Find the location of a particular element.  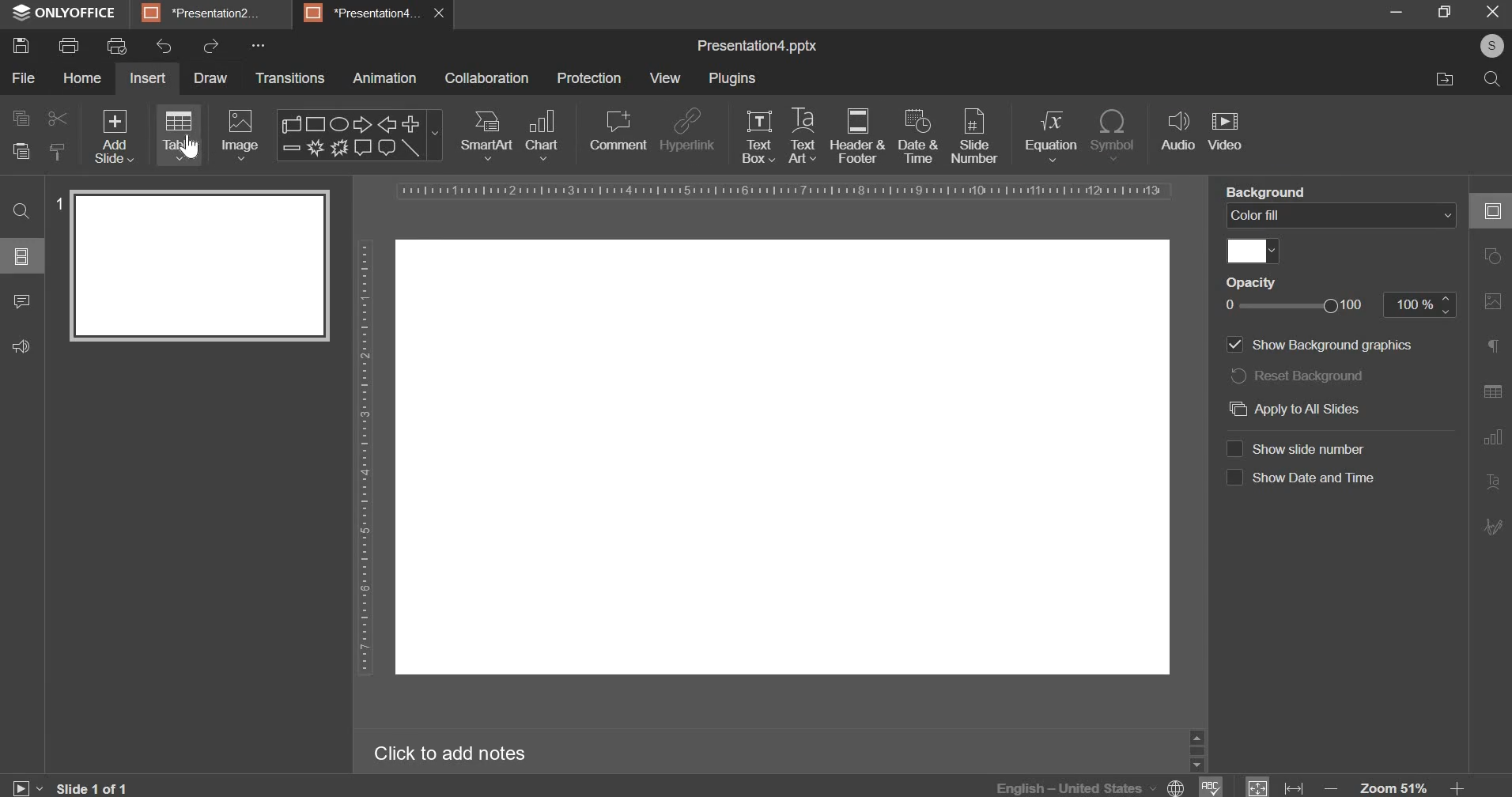

minimize is located at coordinates (1394, 11).